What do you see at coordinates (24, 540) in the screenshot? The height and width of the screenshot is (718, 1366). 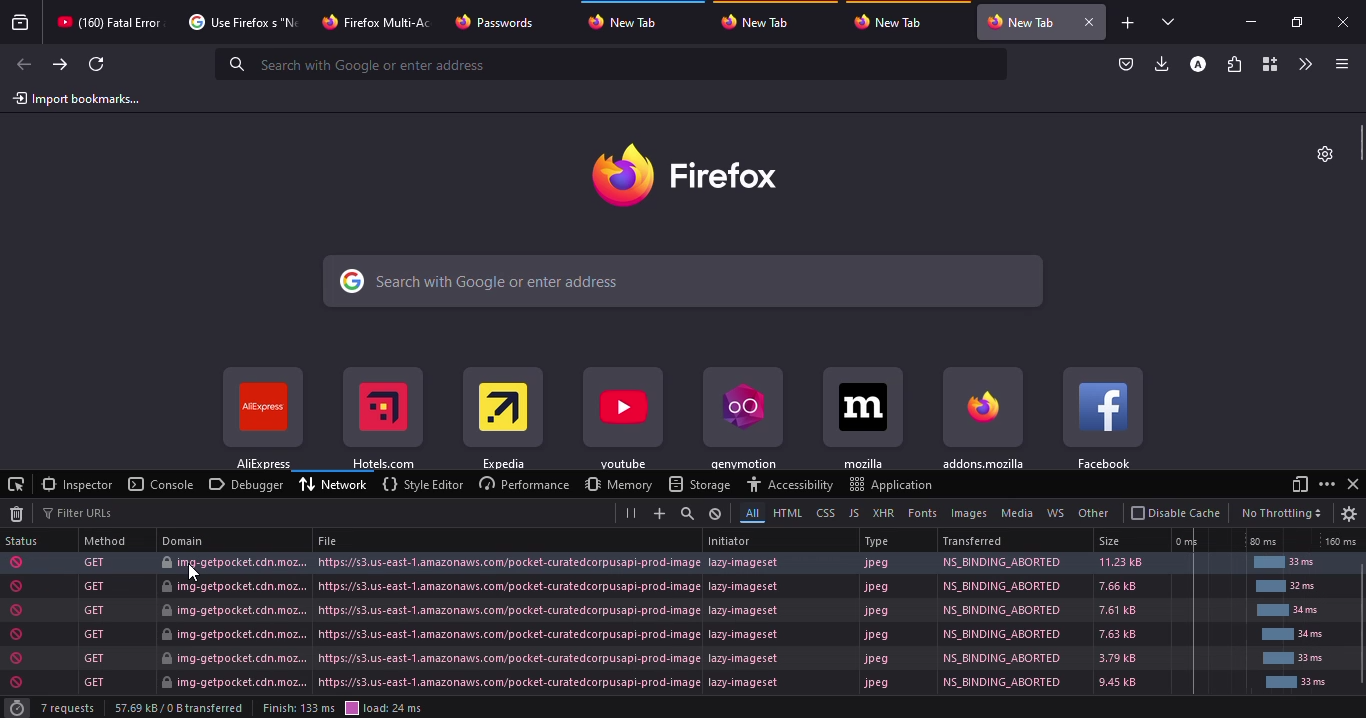 I see `status` at bounding box center [24, 540].